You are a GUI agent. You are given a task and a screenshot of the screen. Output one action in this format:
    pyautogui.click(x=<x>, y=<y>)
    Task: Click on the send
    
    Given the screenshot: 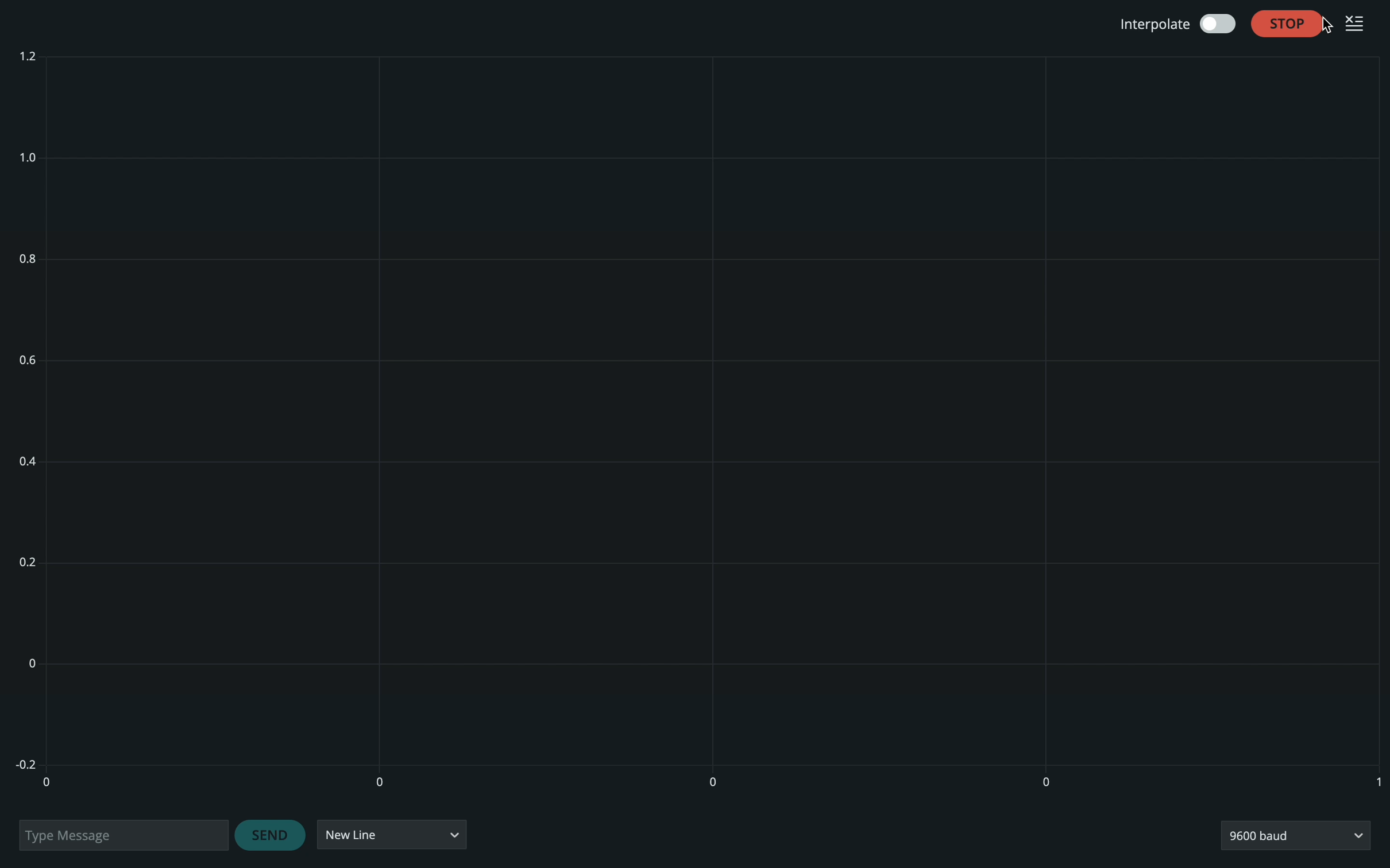 What is the action you would take?
    pyautogui.click(x=271, y=835)
    